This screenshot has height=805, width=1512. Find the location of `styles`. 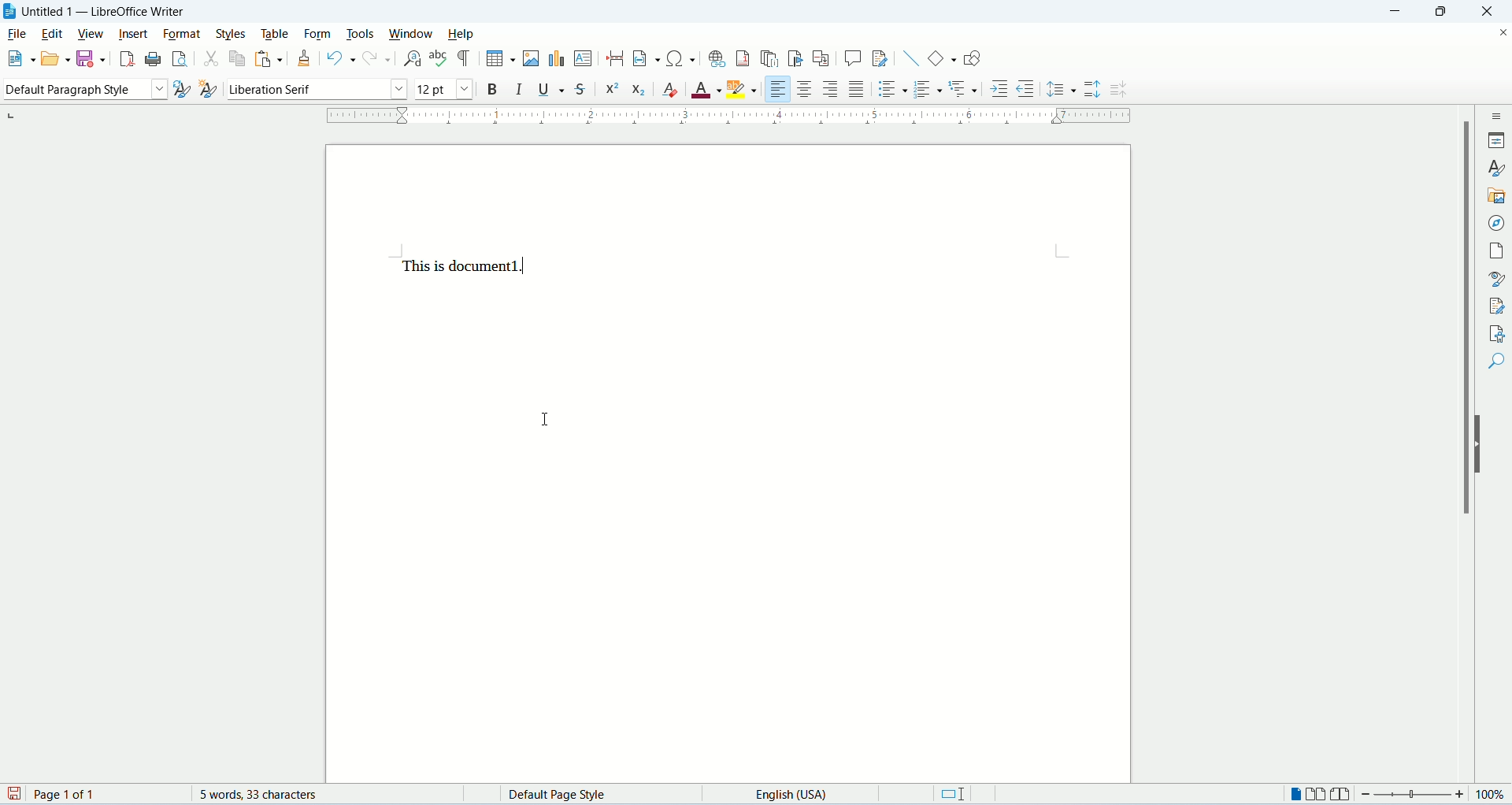

styles is located at coordinates (1497, 167).